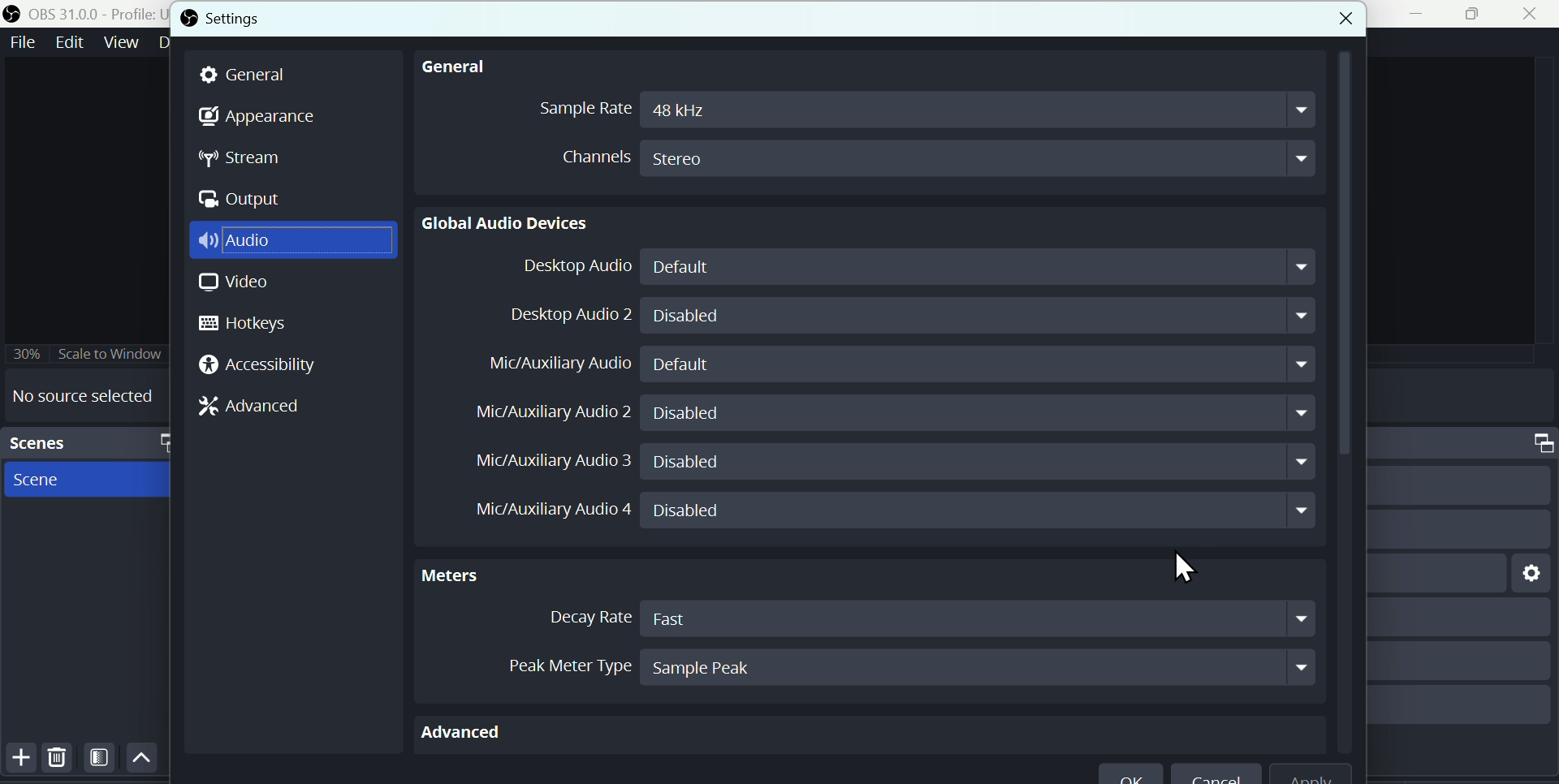  Describe the element at coordinates (549, 413) in the screenshot. I see `Mic/ Auxiliary Audio 2` at that location.